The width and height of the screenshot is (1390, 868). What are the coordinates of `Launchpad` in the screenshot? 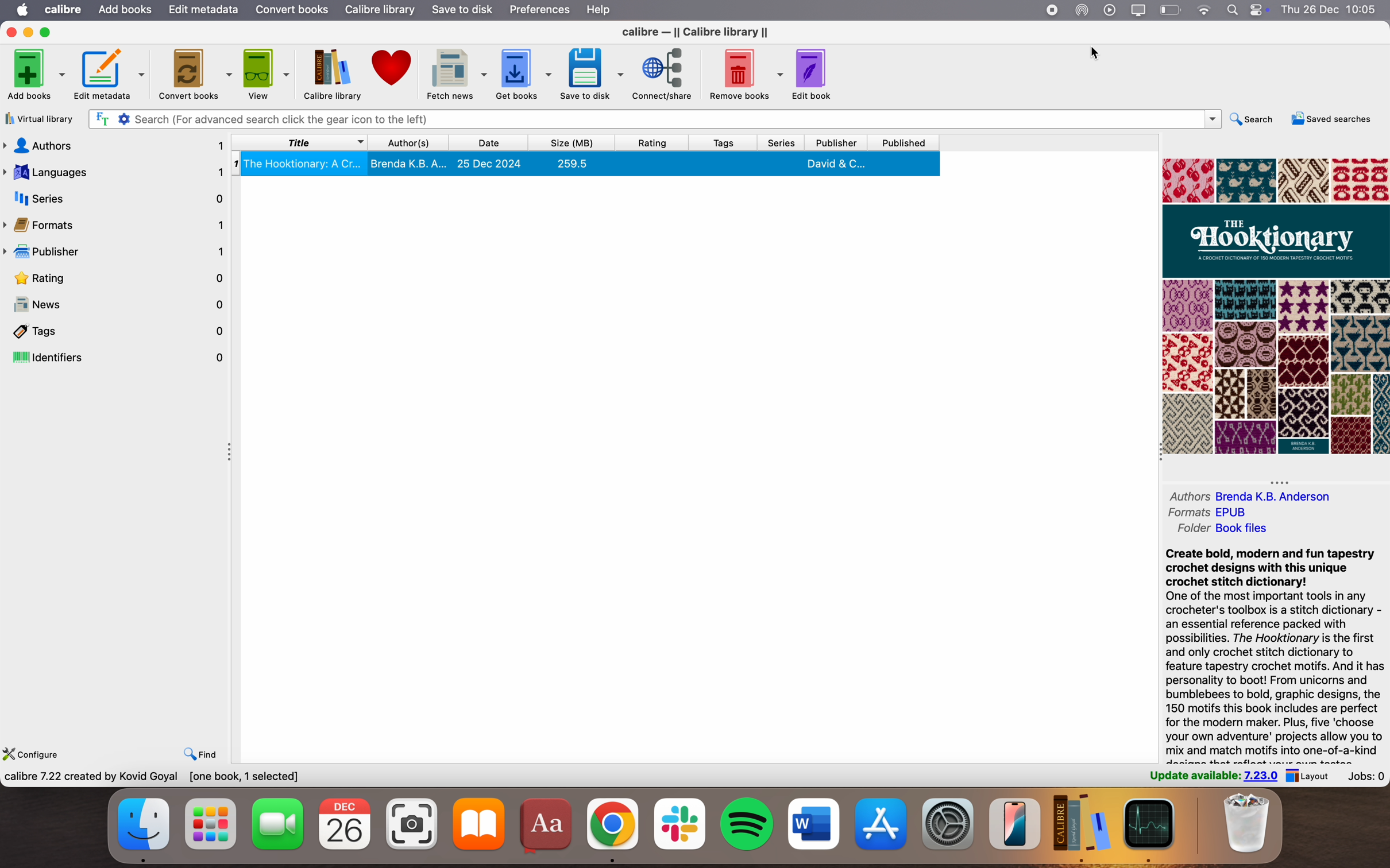 It's located at (210, 820).